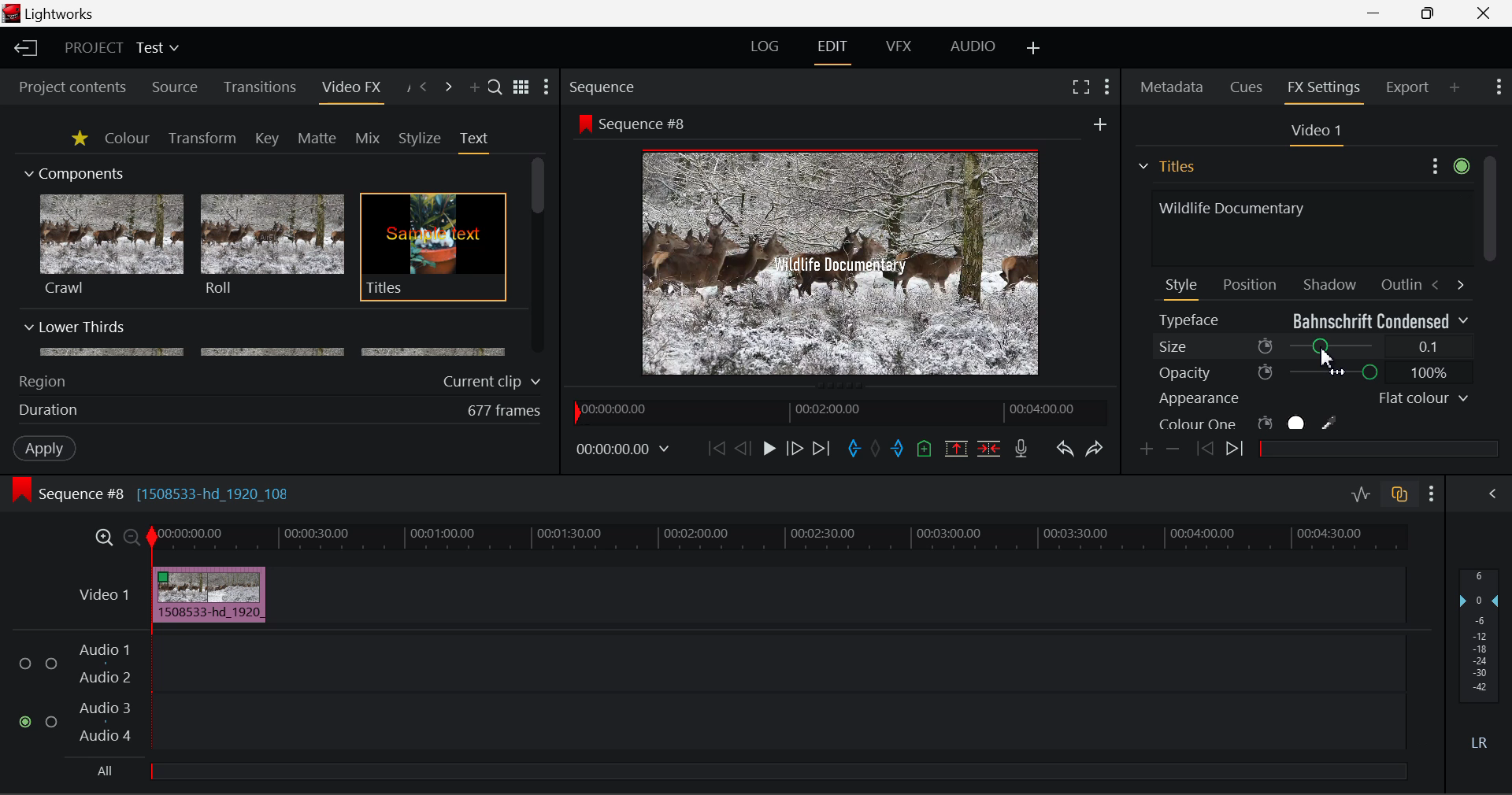 The height and width of the screenshot is (795, 1512). What do you see at coordinates (450, 88) in the screenshot?
I see `Next Panel` at bounding box center [450, 88].